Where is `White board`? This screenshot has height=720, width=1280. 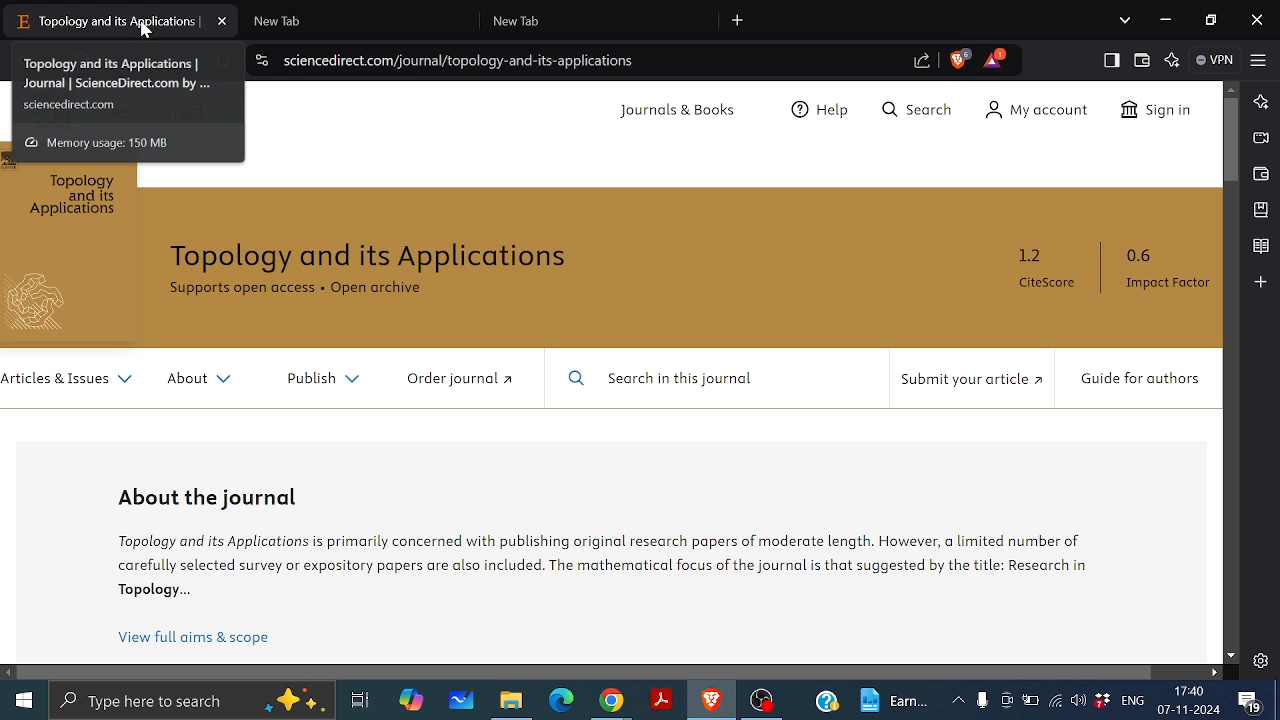 White board is located at coordinates (459, 701).